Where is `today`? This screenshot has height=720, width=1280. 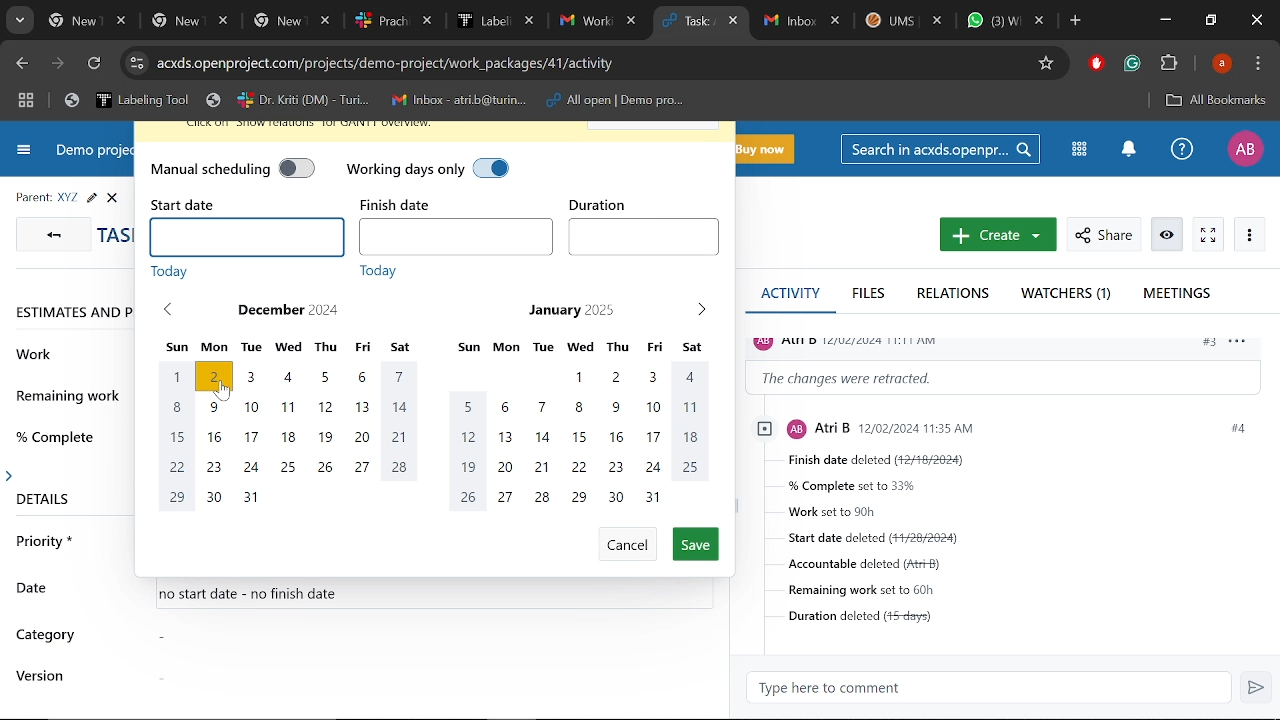 today is located at coordinates (176, 271).